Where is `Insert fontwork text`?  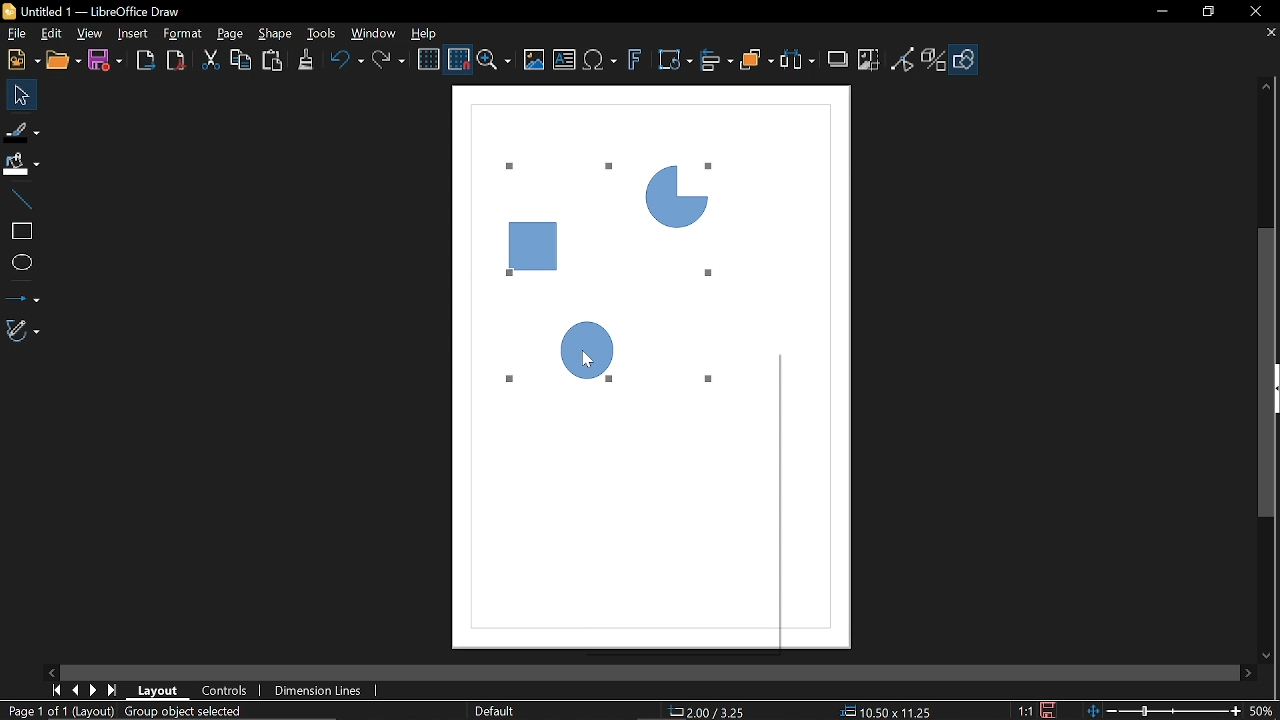 Insert fontwork text is located at coordinates (637, 60).